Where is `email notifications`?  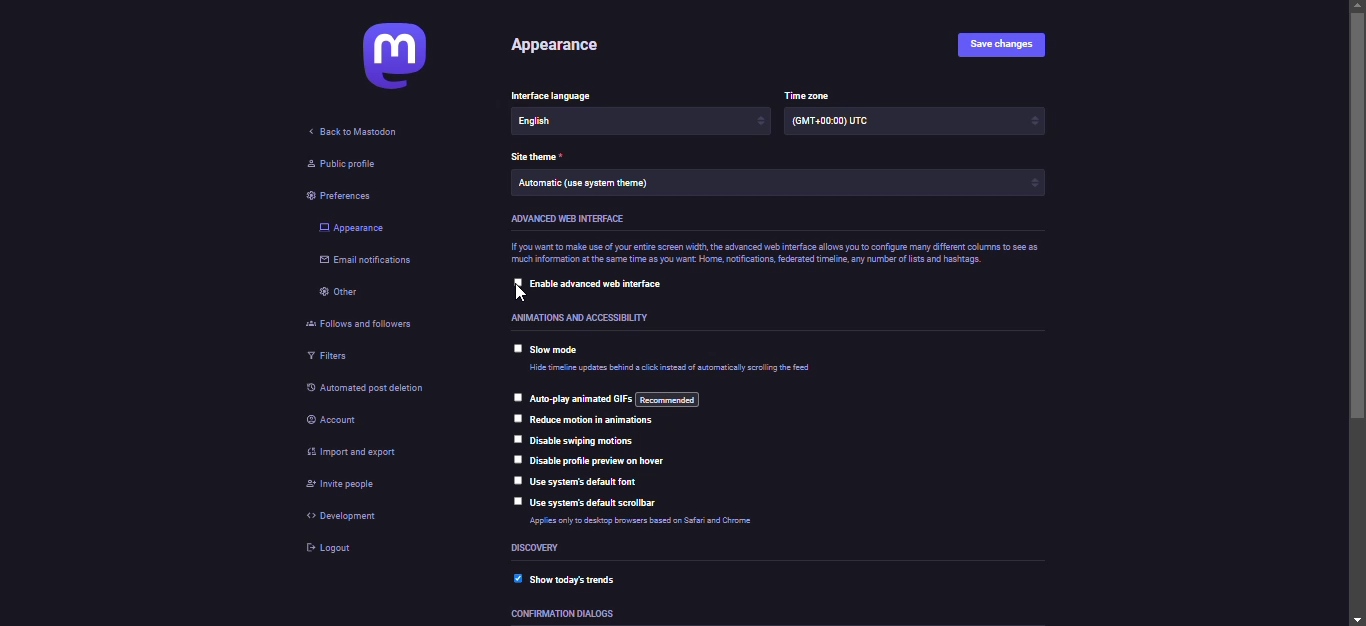 email notifications is located at coordinates (378, 260).